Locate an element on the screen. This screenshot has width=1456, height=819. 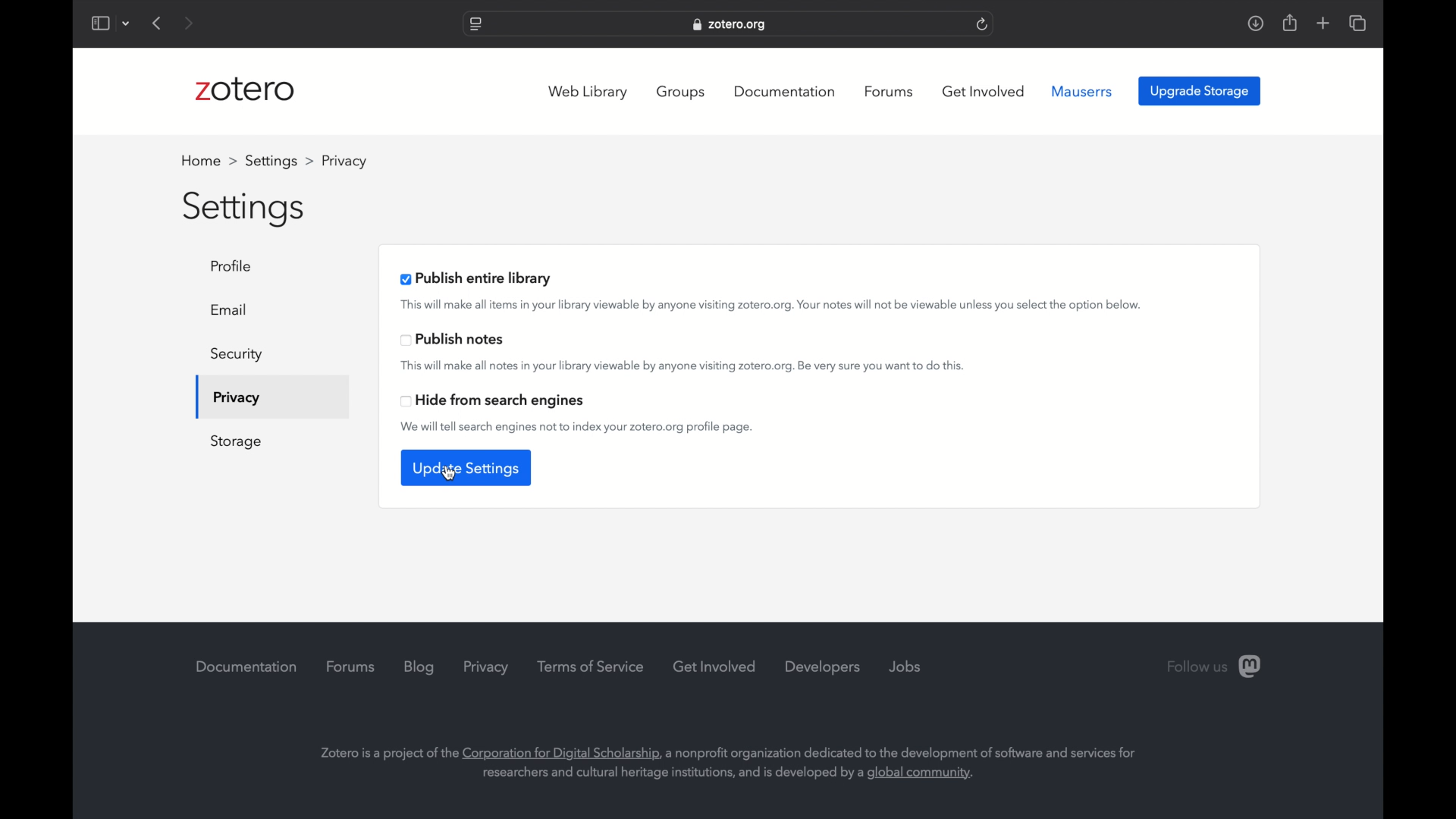
upgrade storage is located at coordinates (1200, 91).